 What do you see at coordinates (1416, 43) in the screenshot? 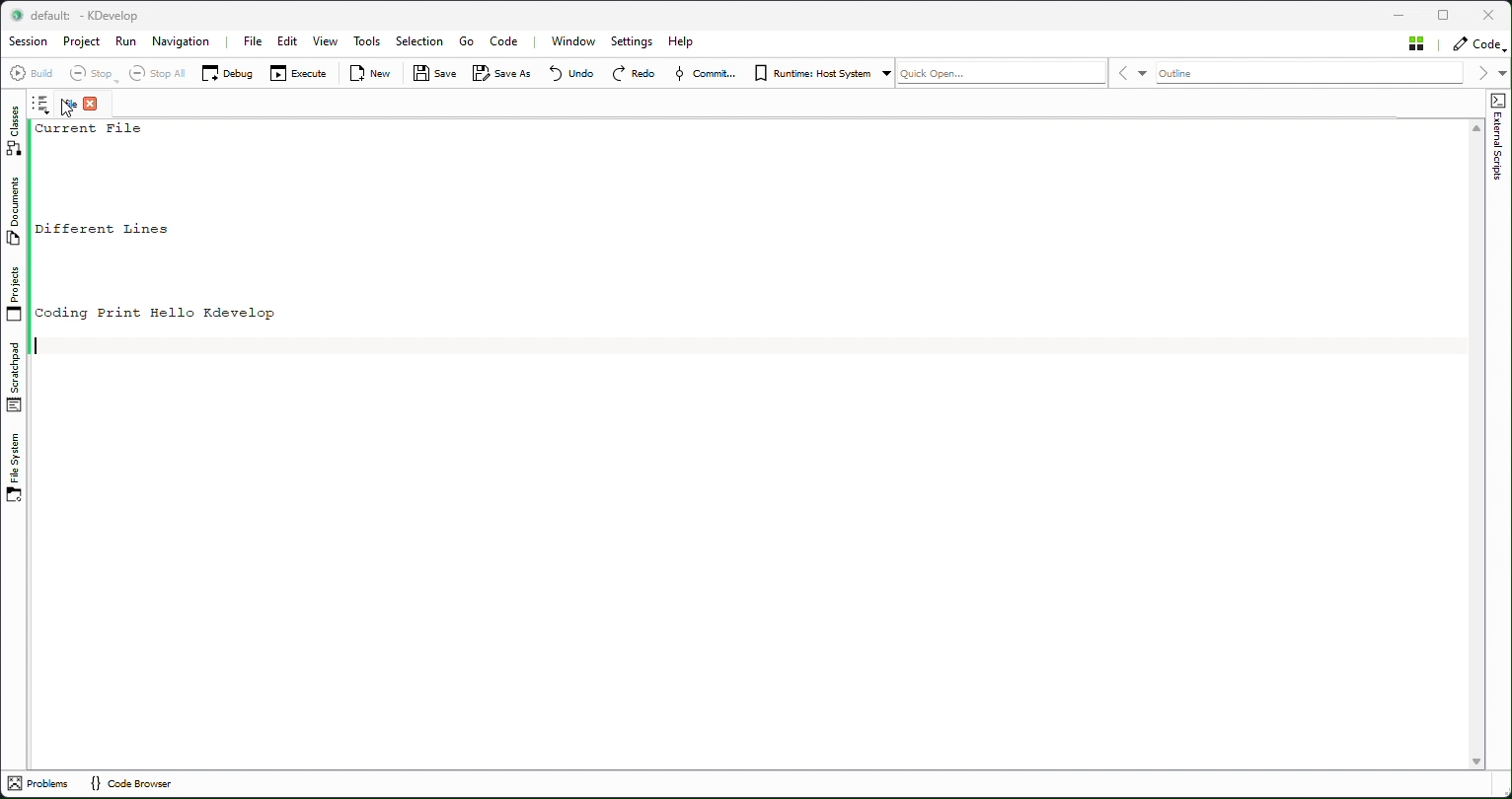
I see `Stash` at bounding box center [1416, 43].